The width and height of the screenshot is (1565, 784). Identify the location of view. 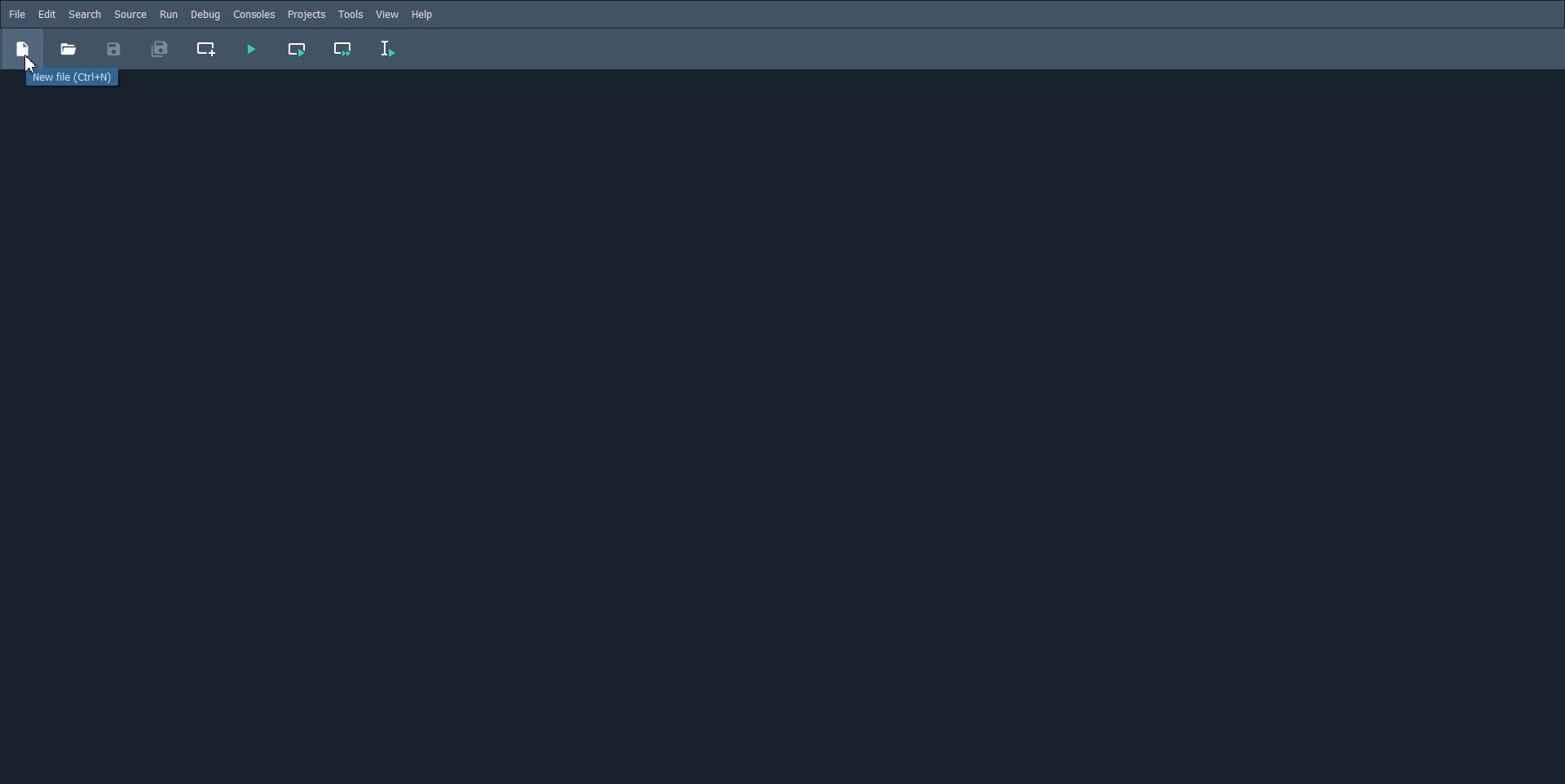
(388, 15).